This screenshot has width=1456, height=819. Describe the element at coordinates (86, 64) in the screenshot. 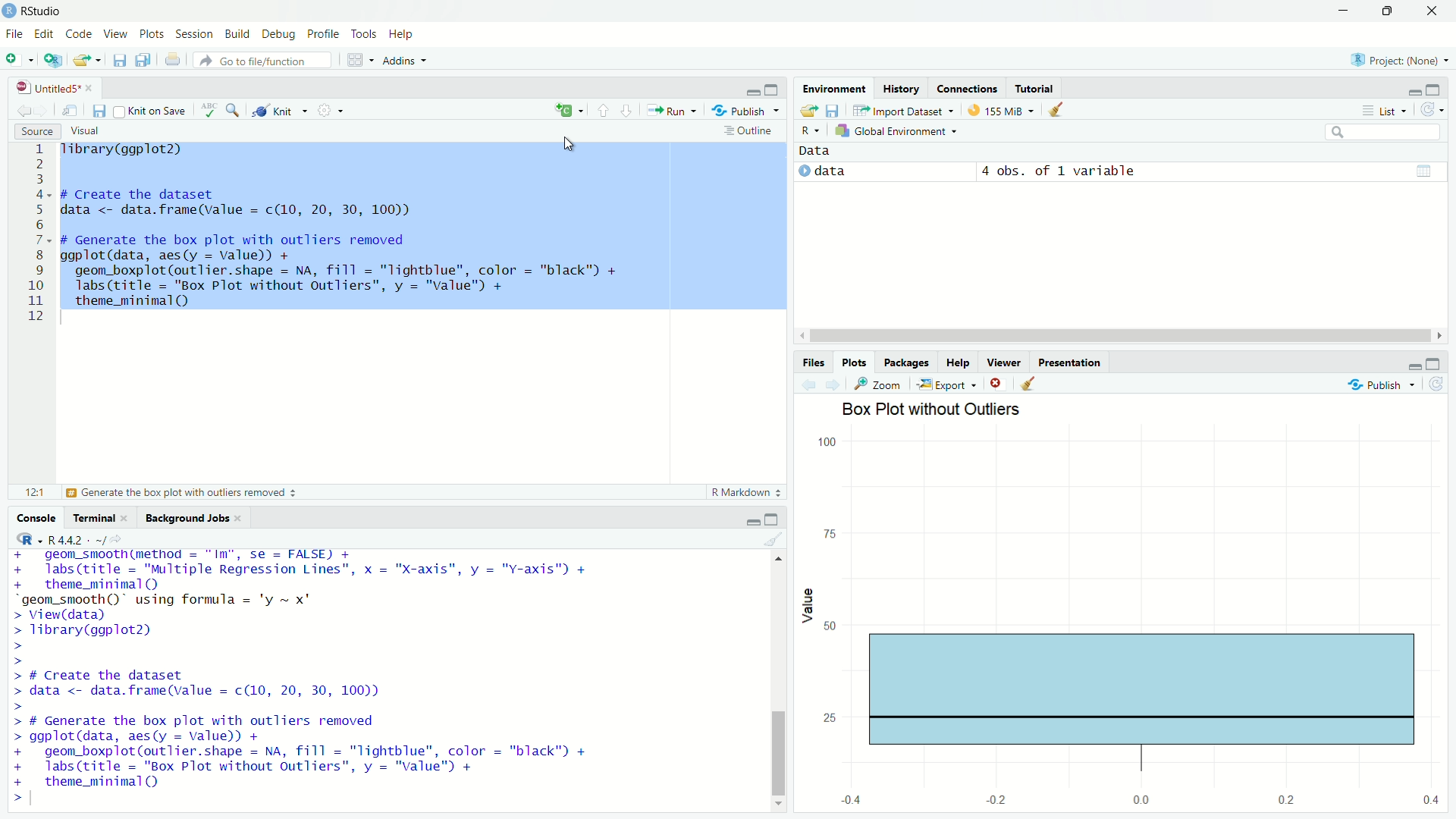

I see `export` at that location.